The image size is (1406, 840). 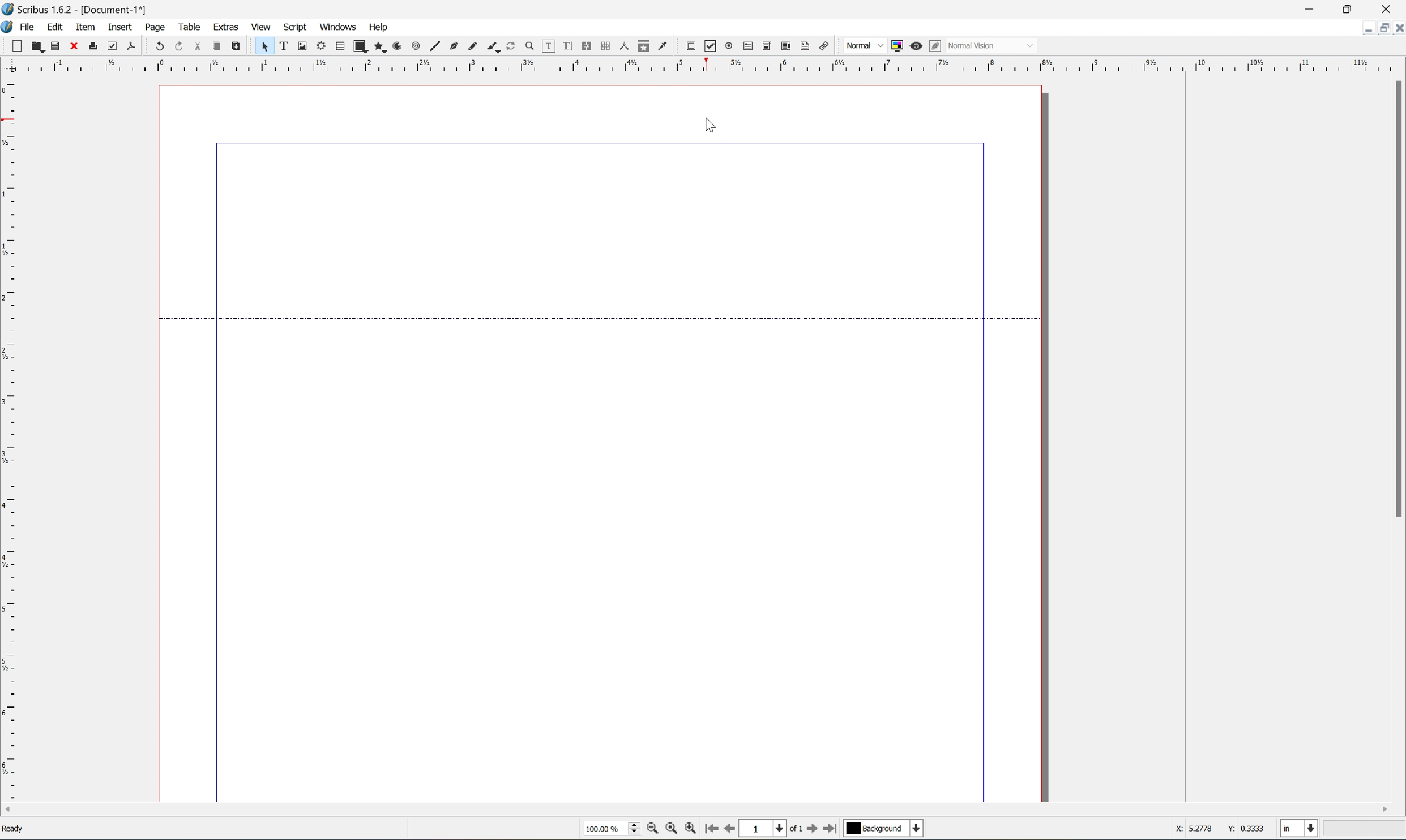 What do you see at coordinates (379, 27) in the screenshot?
I see `help` at bounding box center [379, 27].